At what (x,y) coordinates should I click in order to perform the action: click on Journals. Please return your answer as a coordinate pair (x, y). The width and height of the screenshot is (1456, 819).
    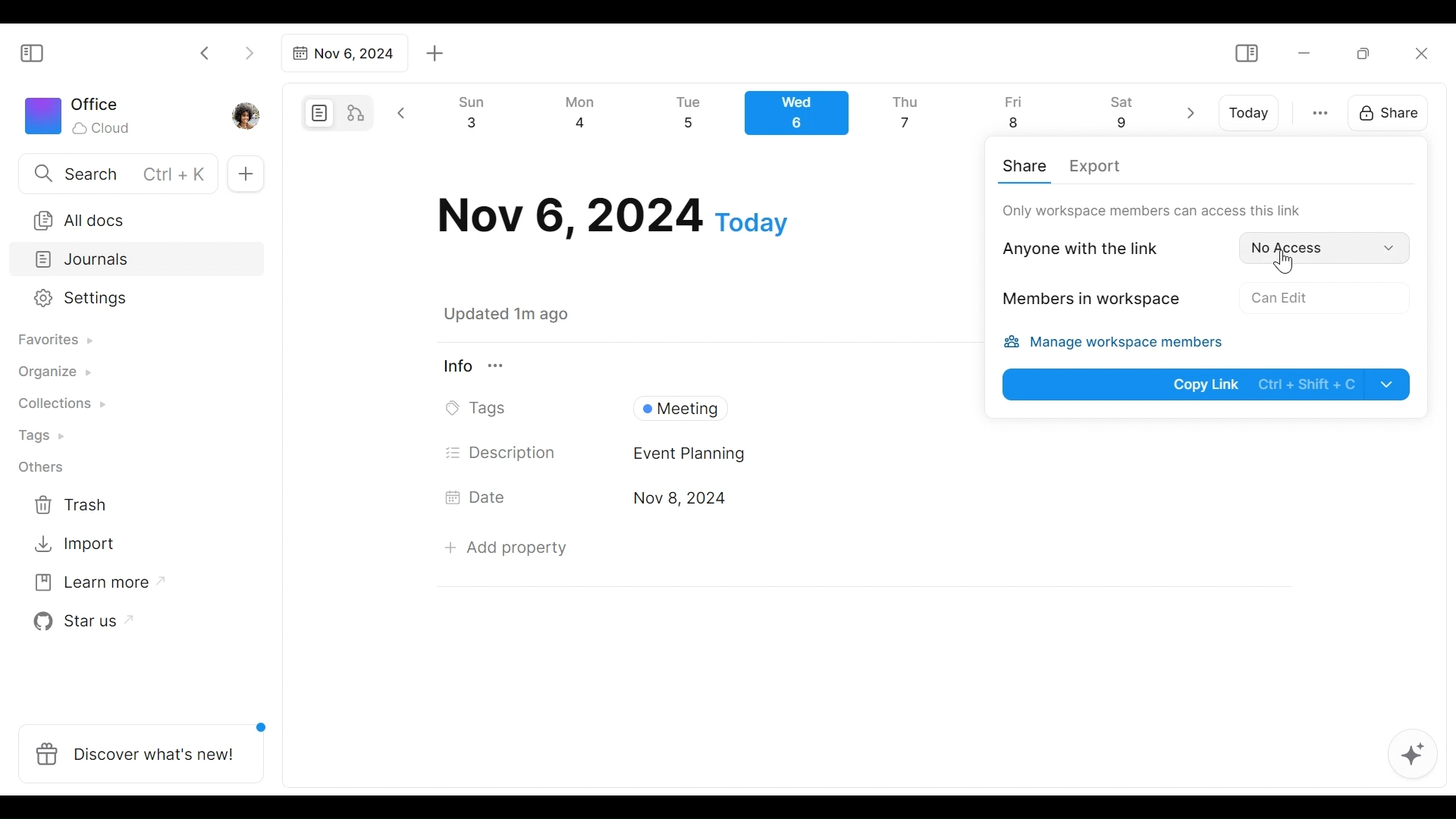
    Looking at the image, I should click on (138, 261).